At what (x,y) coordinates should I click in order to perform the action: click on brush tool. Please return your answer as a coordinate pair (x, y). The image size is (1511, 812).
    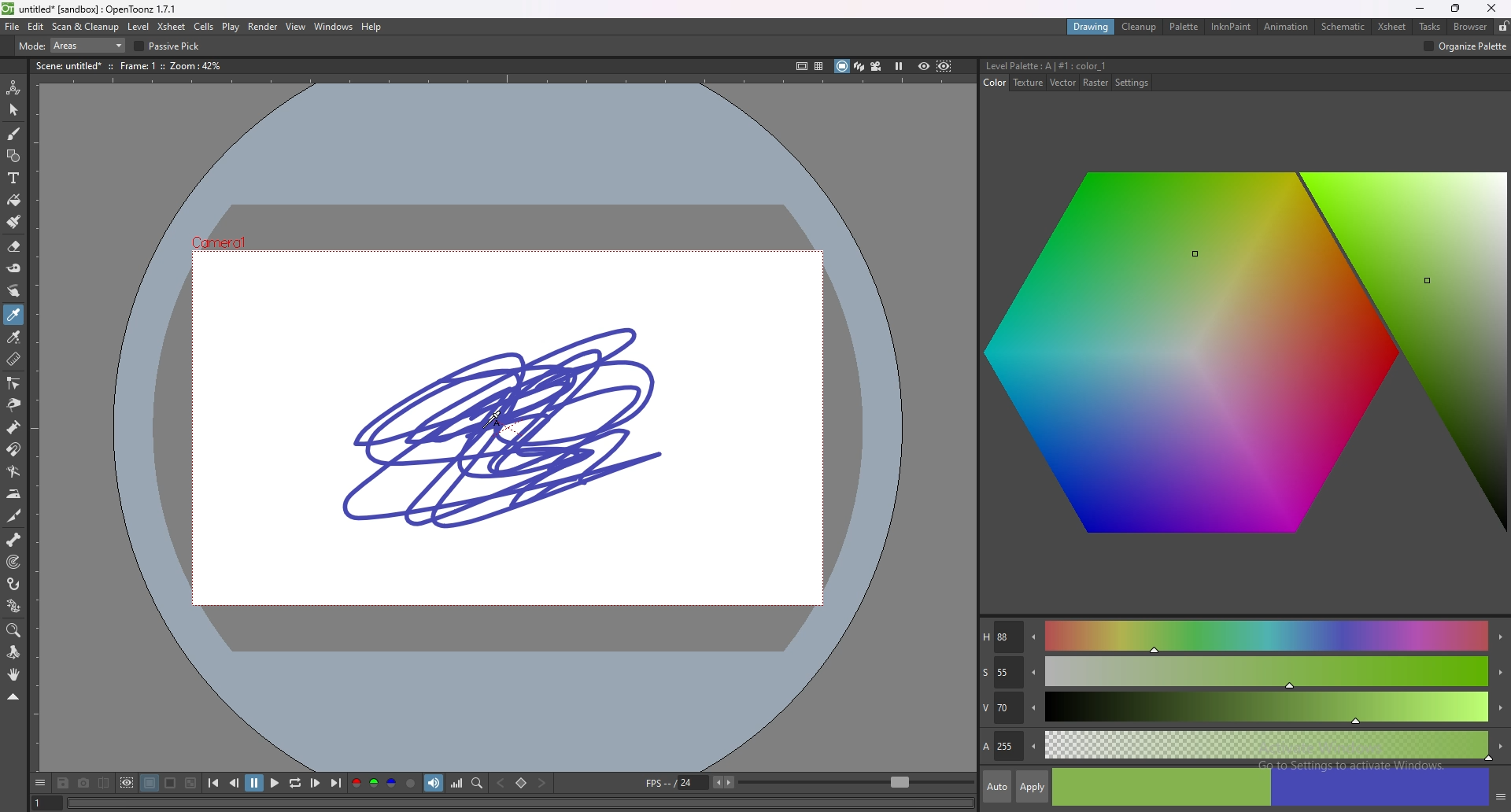
    Looking at the image, I should click on (14, 133).